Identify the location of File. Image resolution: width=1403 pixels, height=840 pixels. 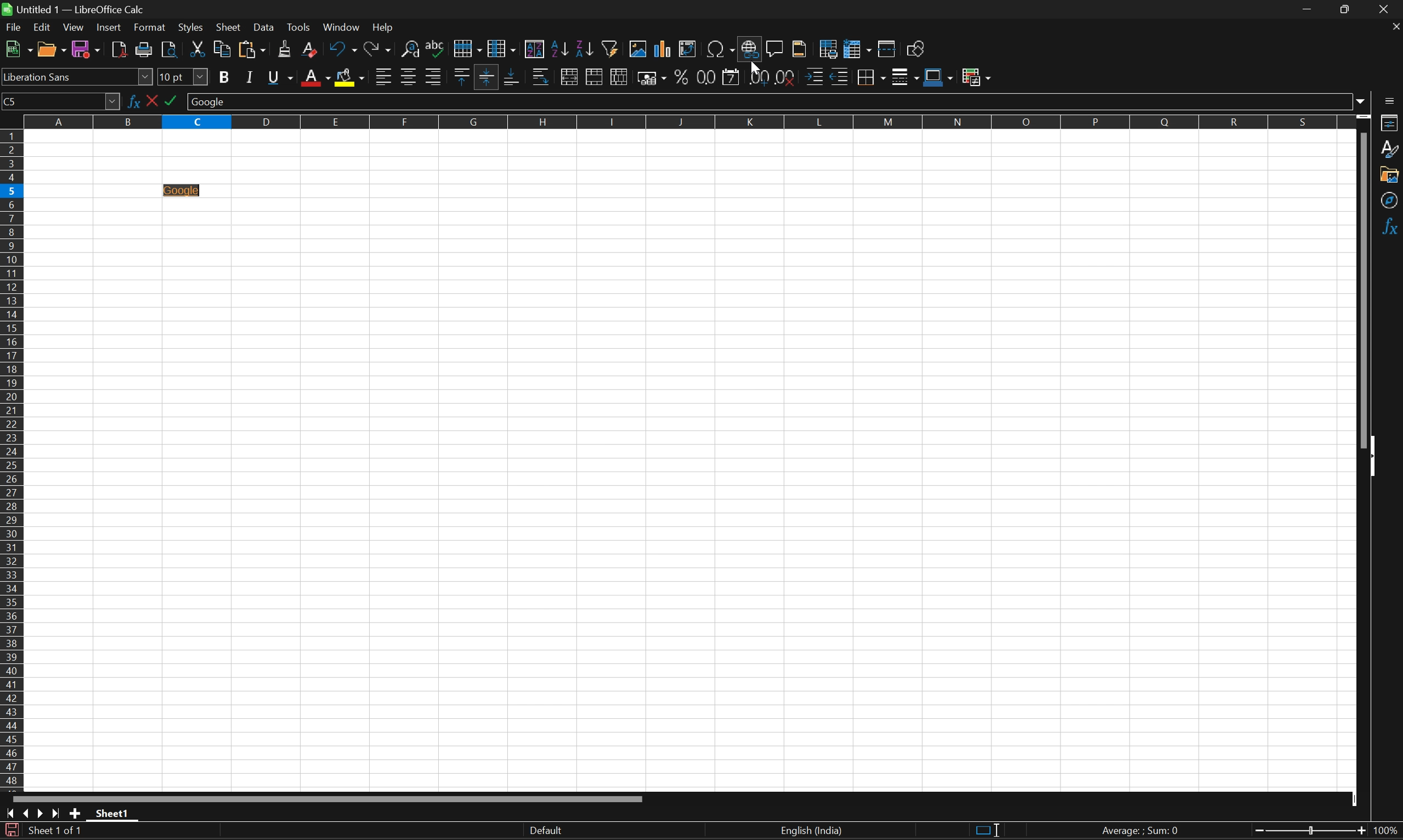
(14, 27).